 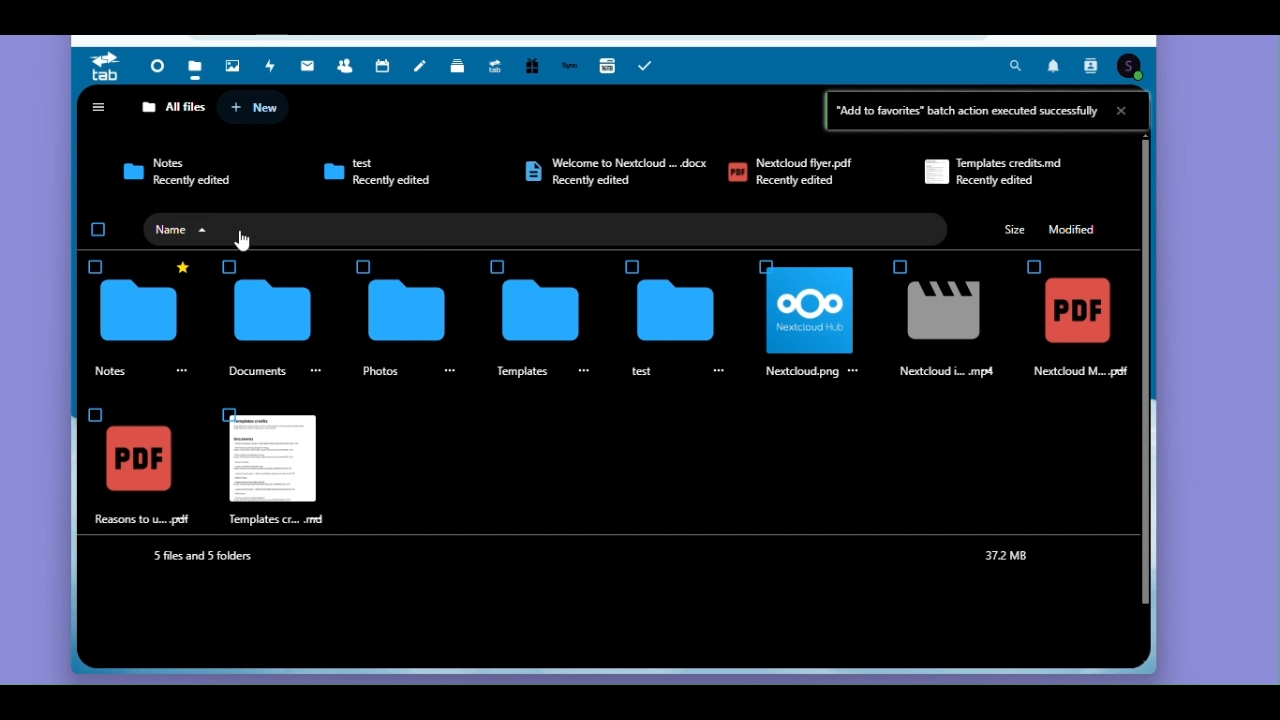 I want to click on Netcloud.flyer.pdf, so click(x=810, y=161).